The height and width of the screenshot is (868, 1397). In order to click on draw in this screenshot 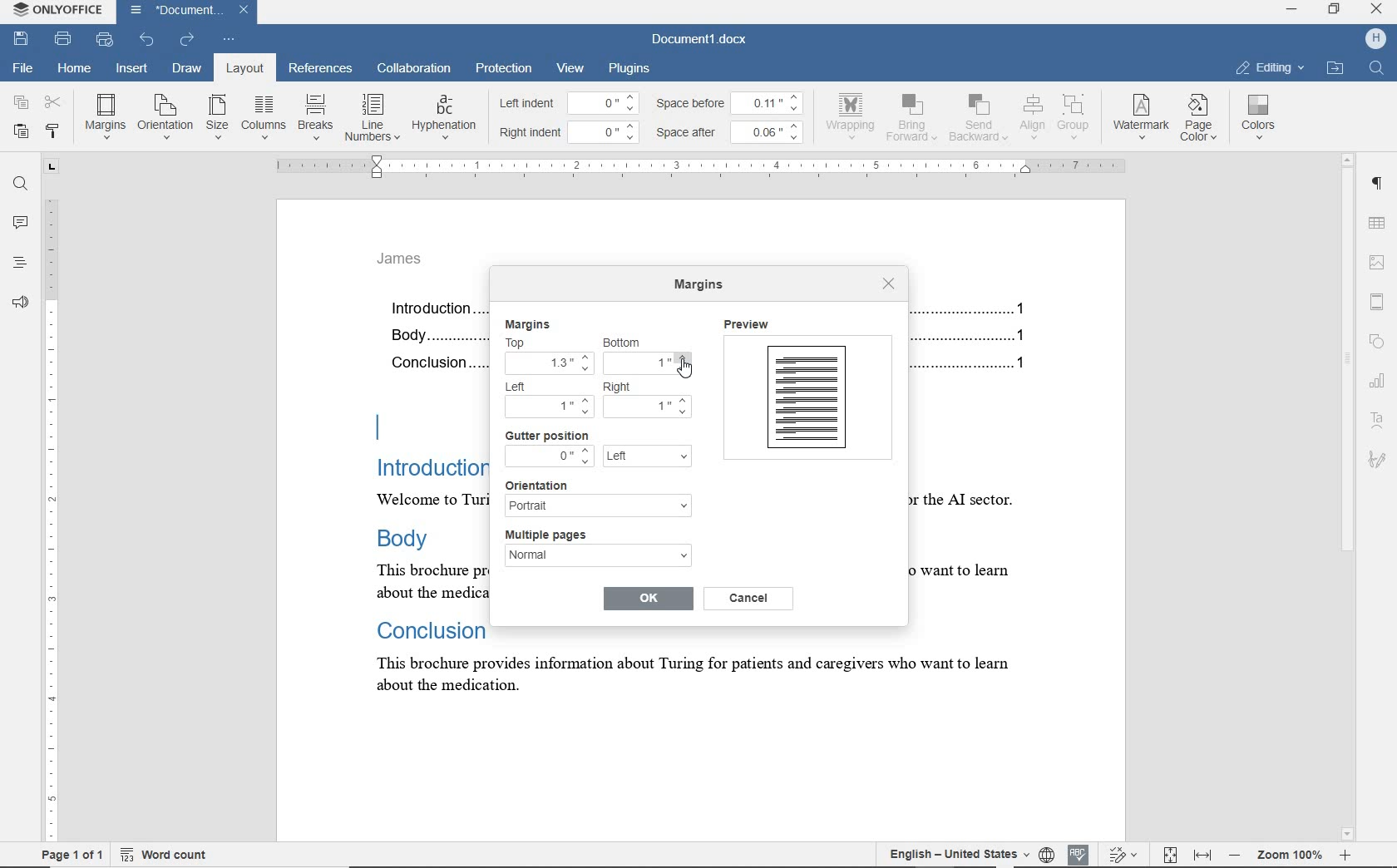, I will do `click(187, 67)`.